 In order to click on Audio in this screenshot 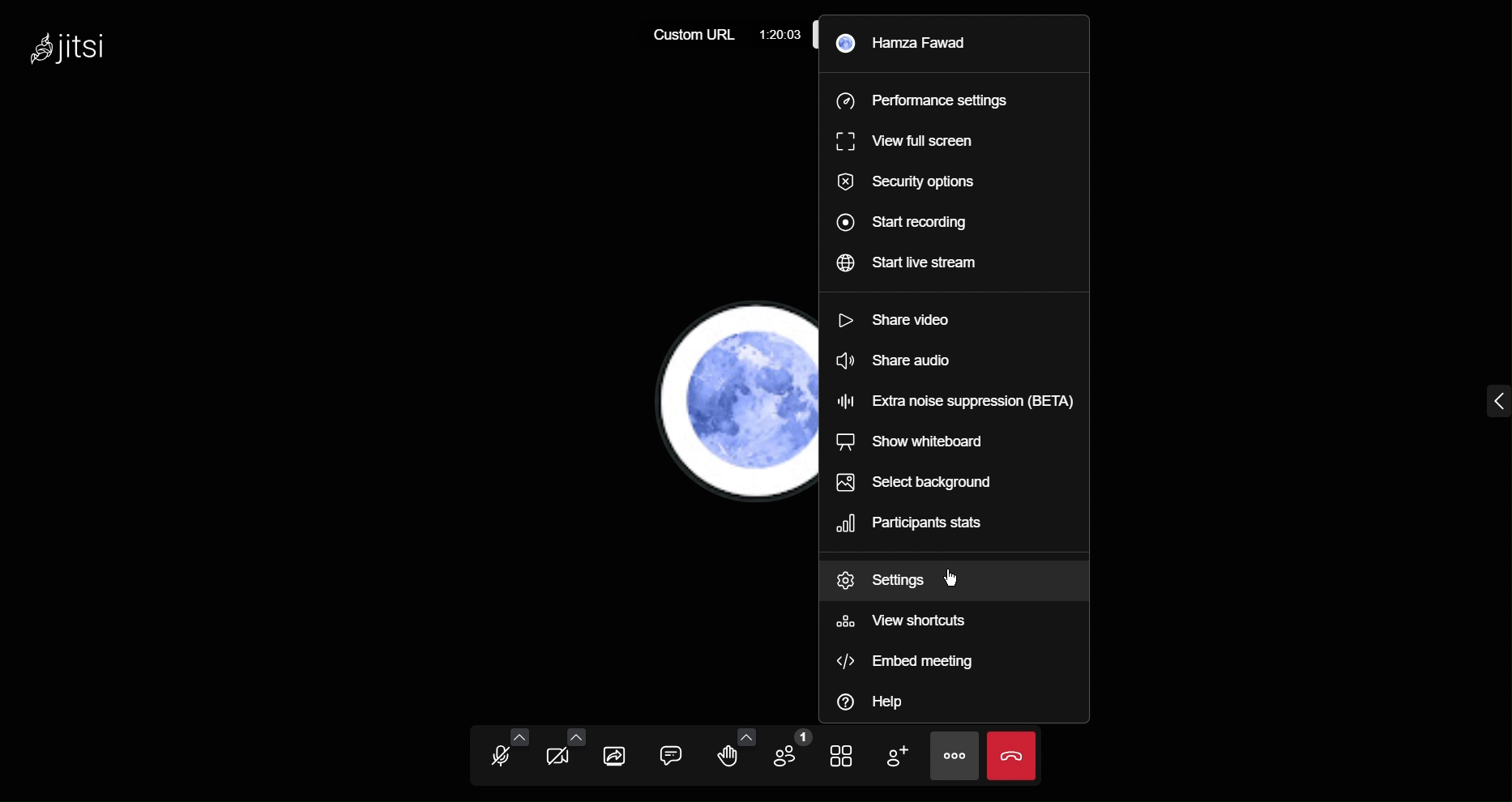, I will do `click(497, 752)`.